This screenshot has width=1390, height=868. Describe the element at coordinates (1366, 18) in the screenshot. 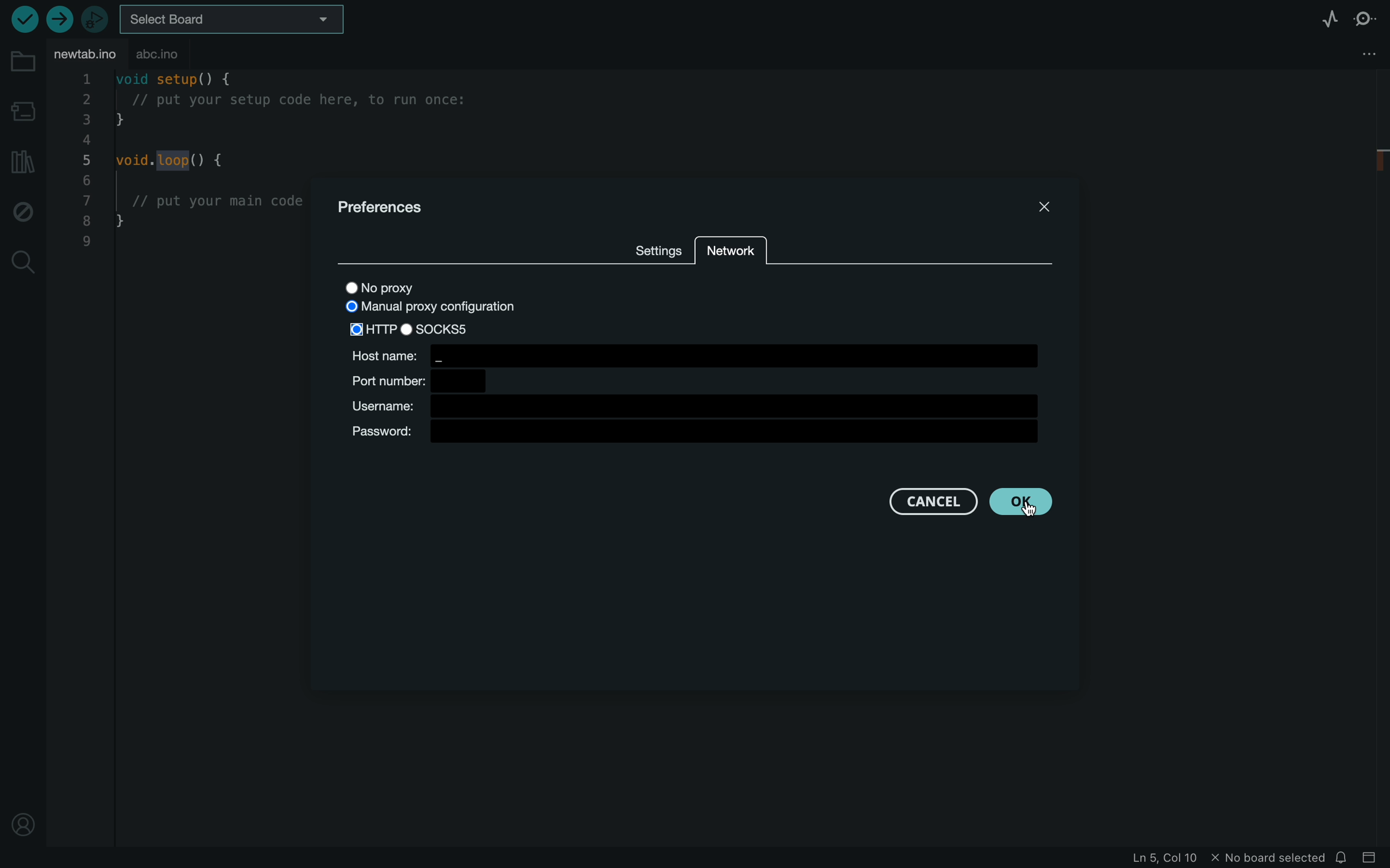

I see `serial monitor` at that location.